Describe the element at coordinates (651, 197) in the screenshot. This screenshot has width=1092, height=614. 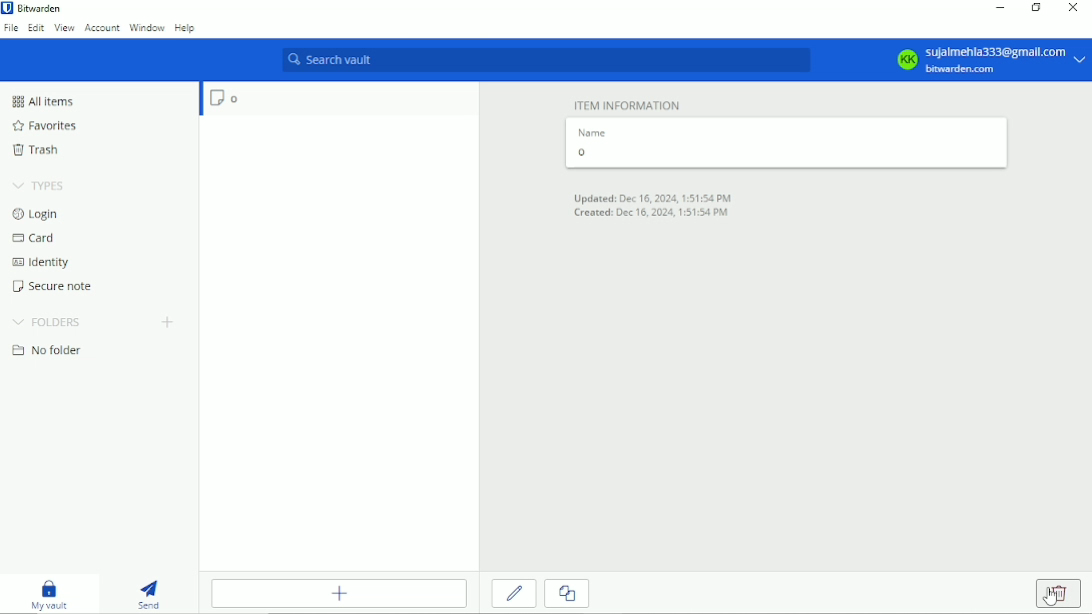
I see `Updated: Dec 16, 2024, 1:51:54 PM` at that location.